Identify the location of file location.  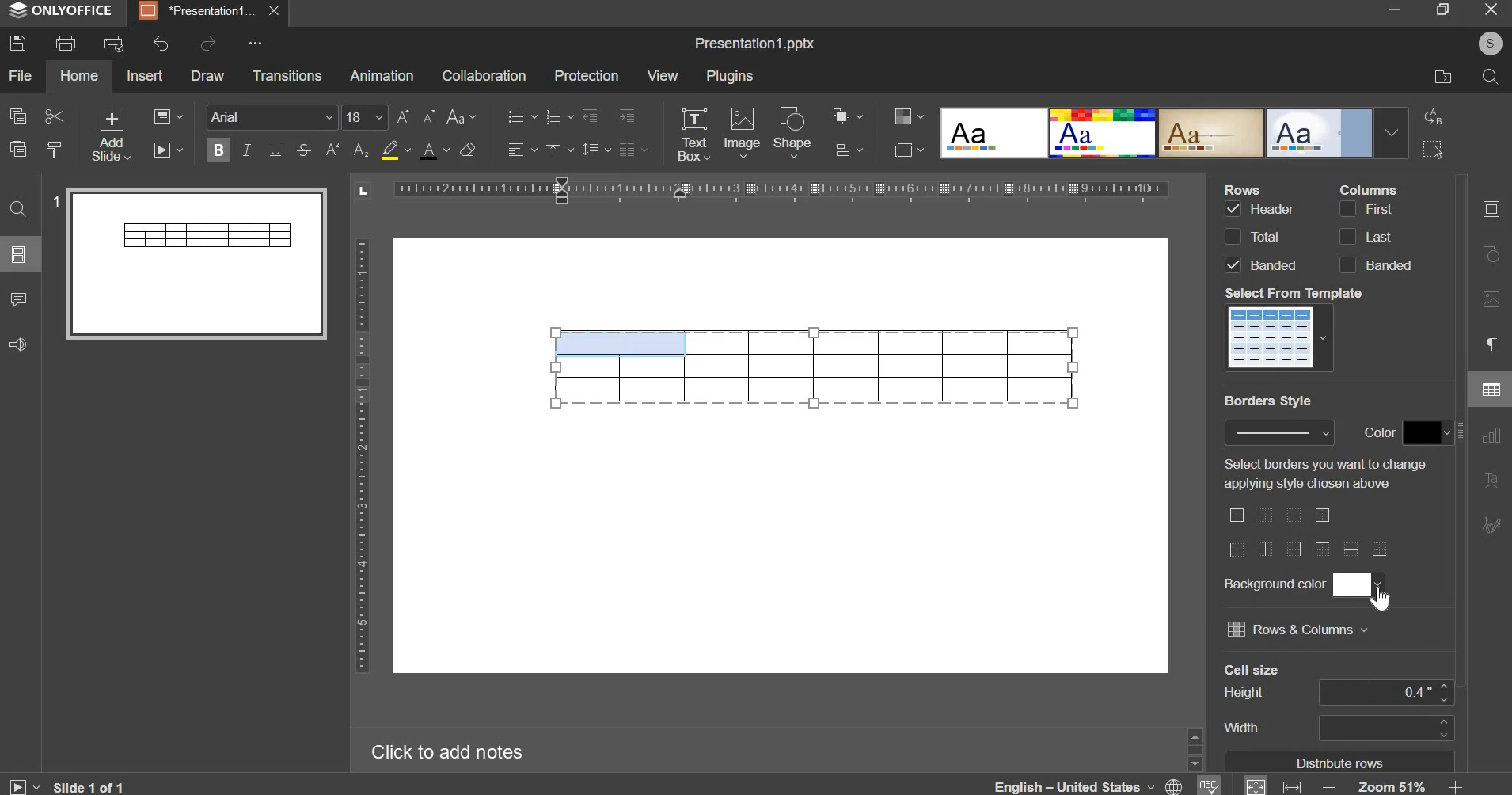
(1443, 75).